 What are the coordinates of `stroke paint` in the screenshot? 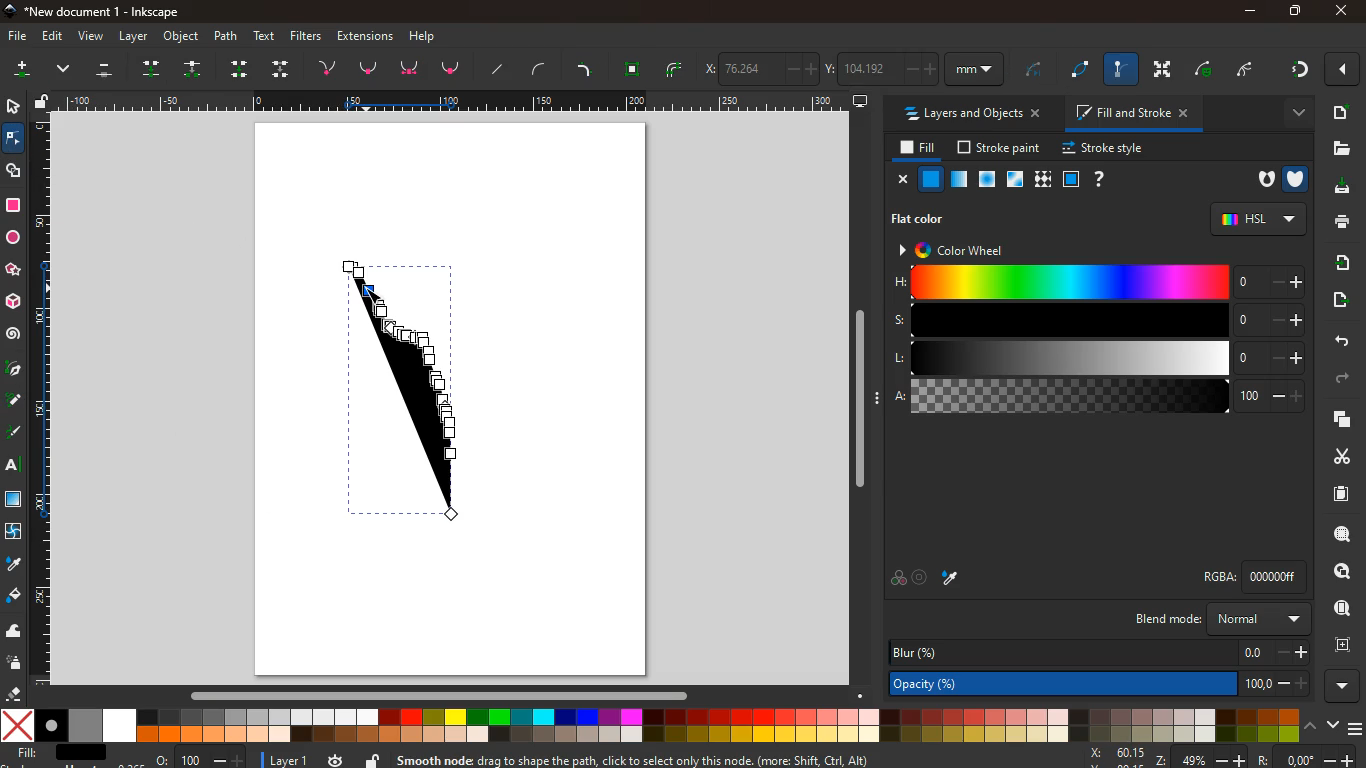 It's located at (1001, 147).